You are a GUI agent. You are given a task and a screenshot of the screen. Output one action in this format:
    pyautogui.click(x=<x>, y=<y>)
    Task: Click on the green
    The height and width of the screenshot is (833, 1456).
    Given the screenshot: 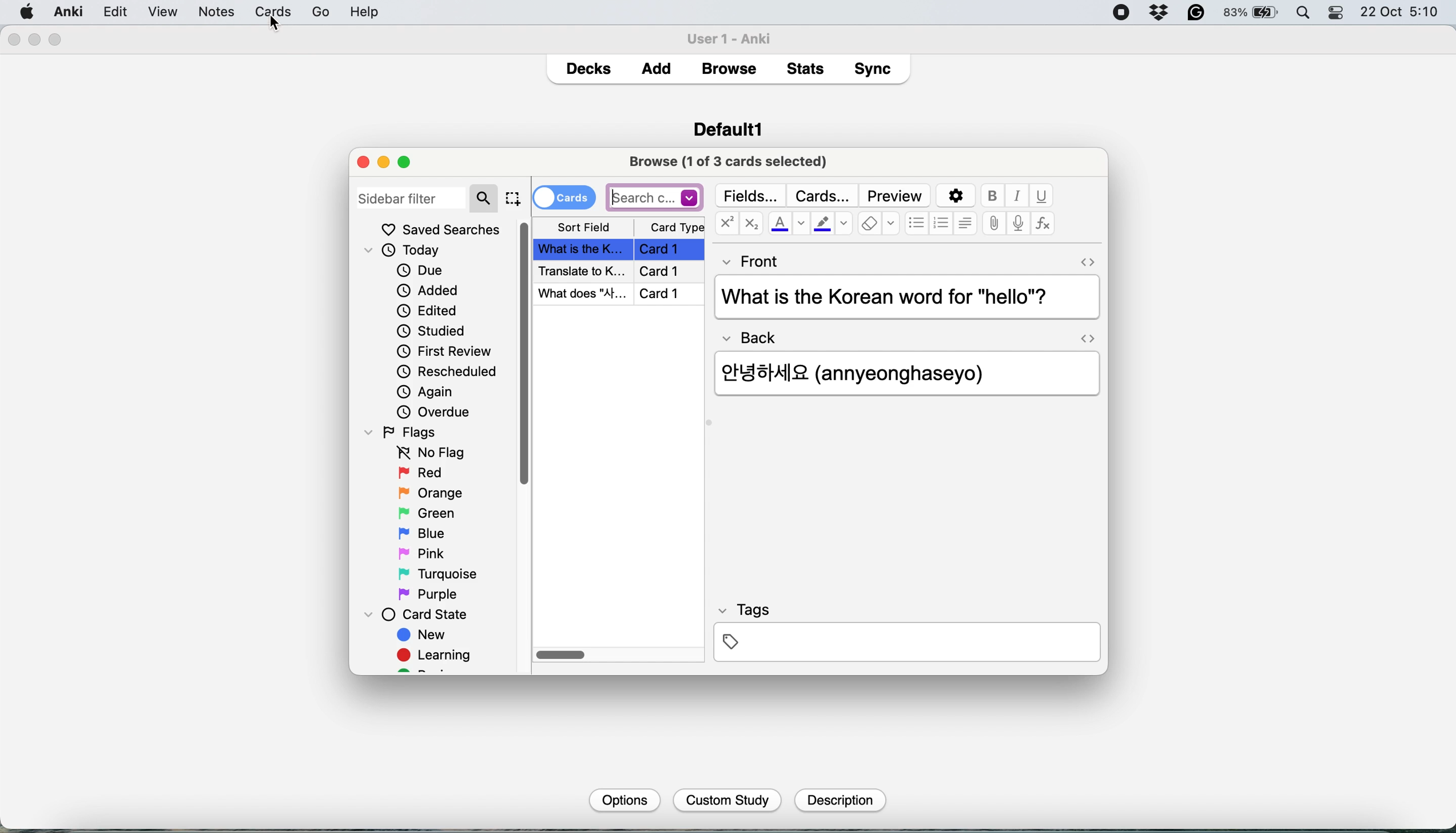 What is the action you would take?
    pyautogui.click(x=435, y=512)
    